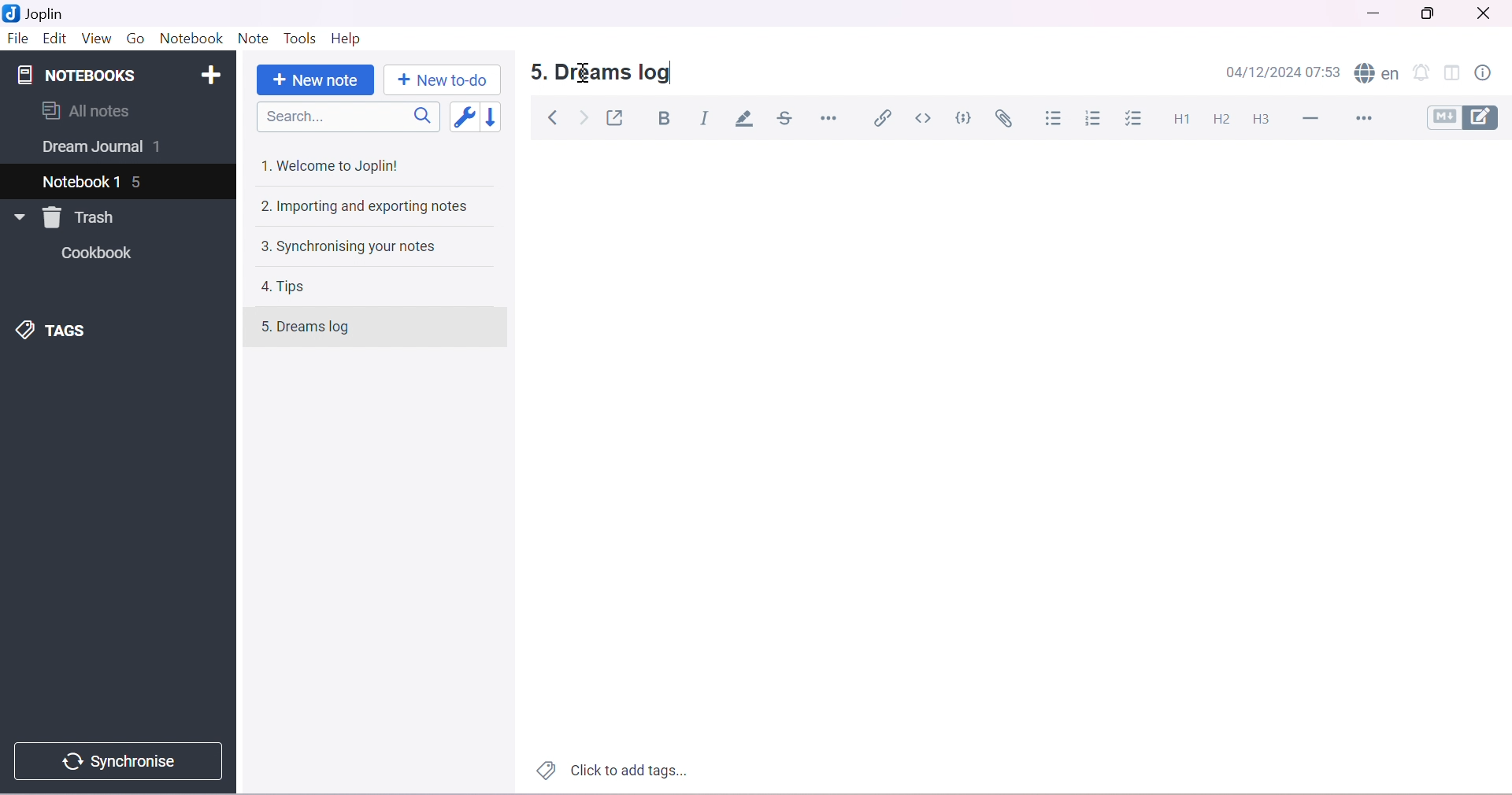  What do you see at coordinates (91, 150) in the screenshot?
I see `Dream Journal` at bounding box center [91, 150].